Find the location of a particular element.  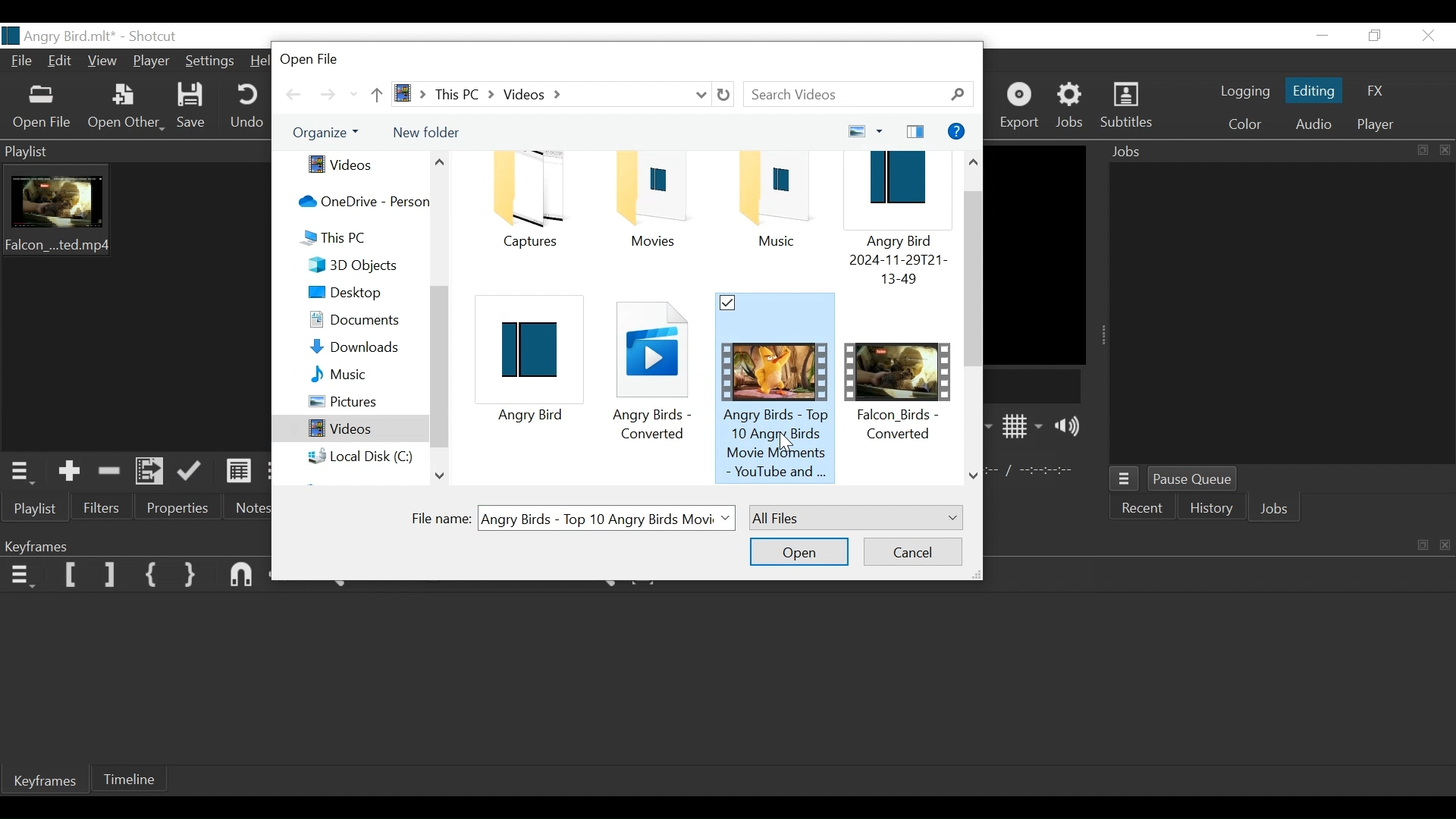

Folder is located at coordinates (529, 225).